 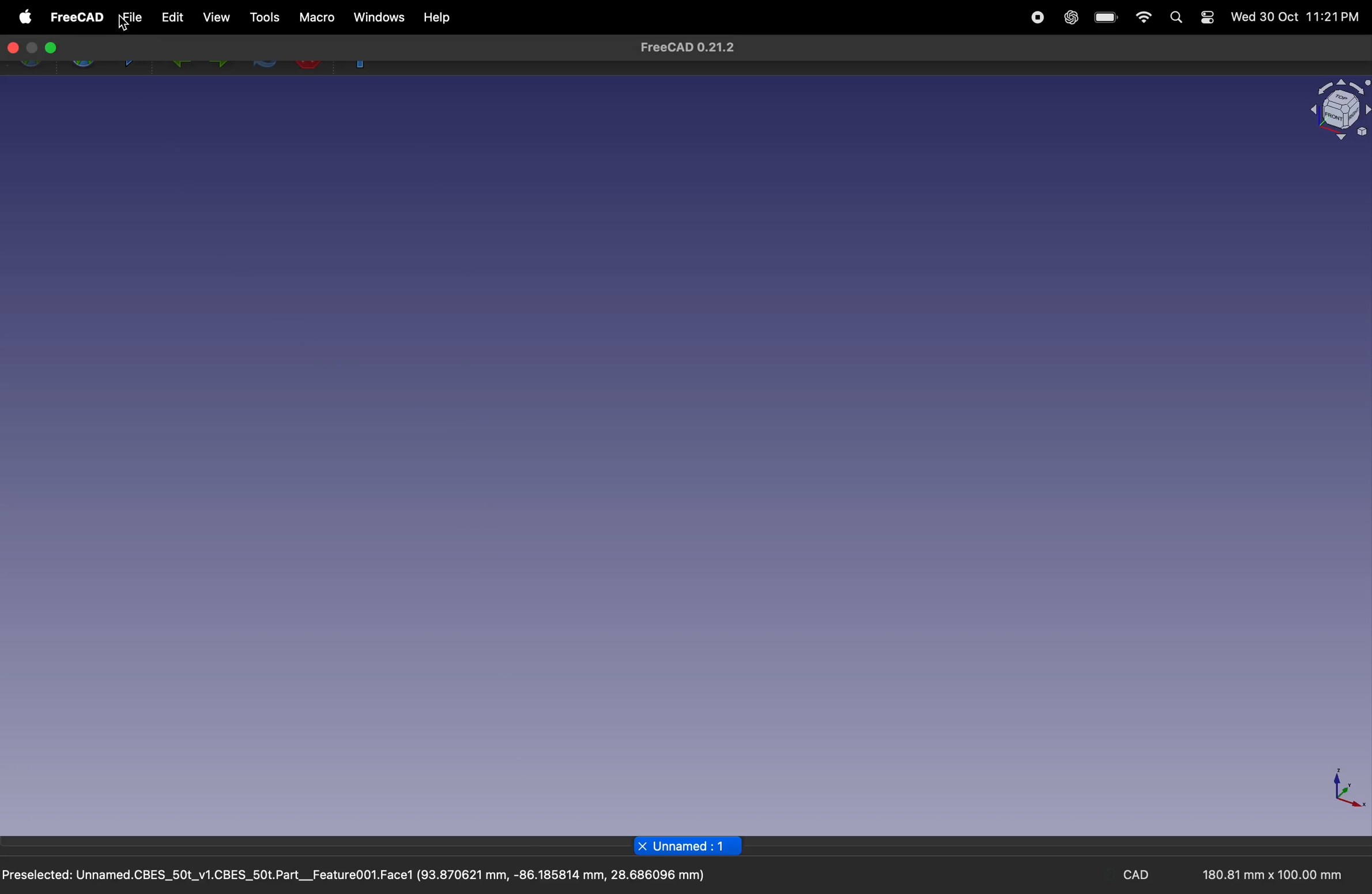 I want to click on free cad, so click(x=76, y=17).